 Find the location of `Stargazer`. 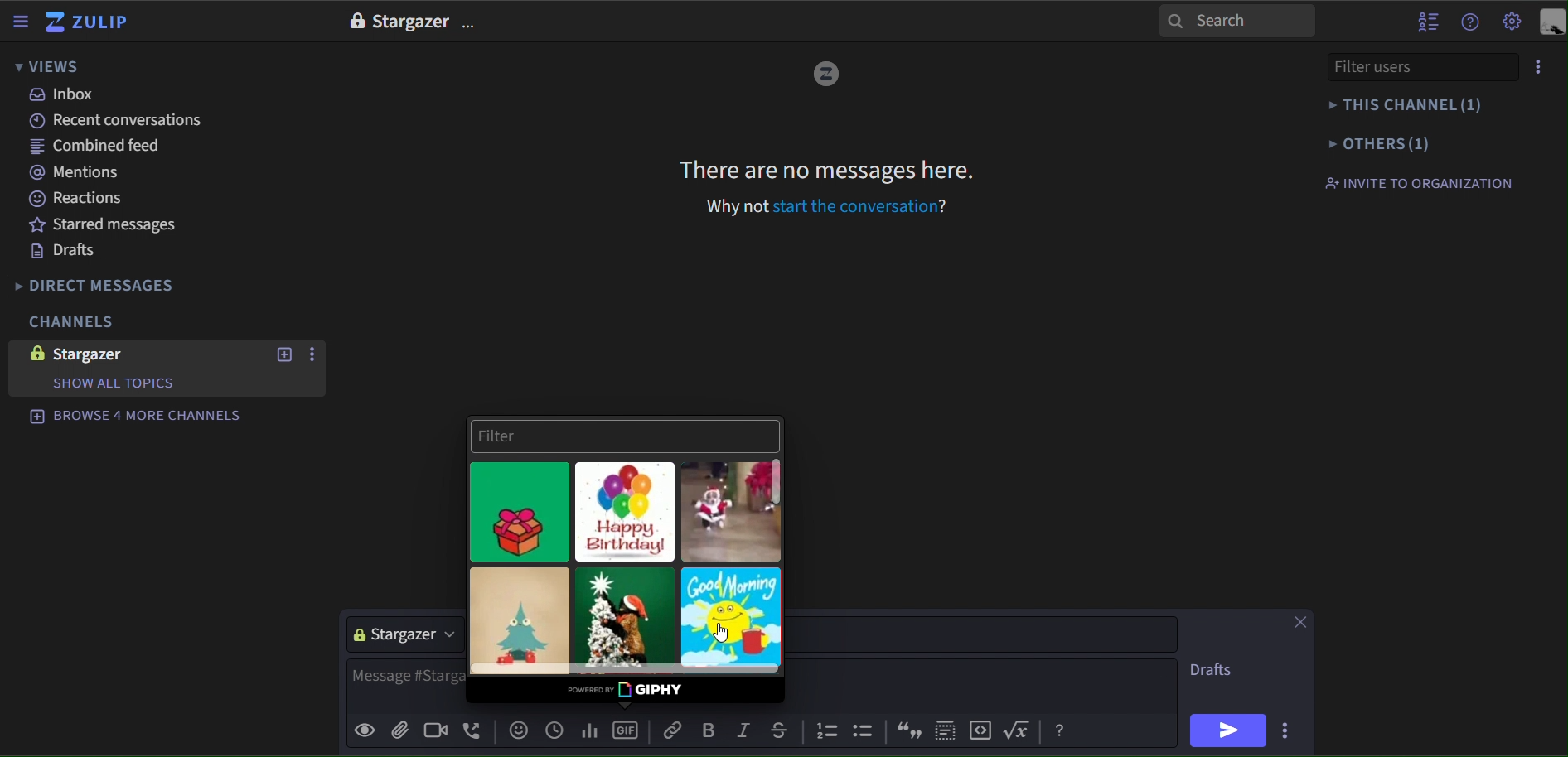

Stargazer is located at coordinates (397, 636).